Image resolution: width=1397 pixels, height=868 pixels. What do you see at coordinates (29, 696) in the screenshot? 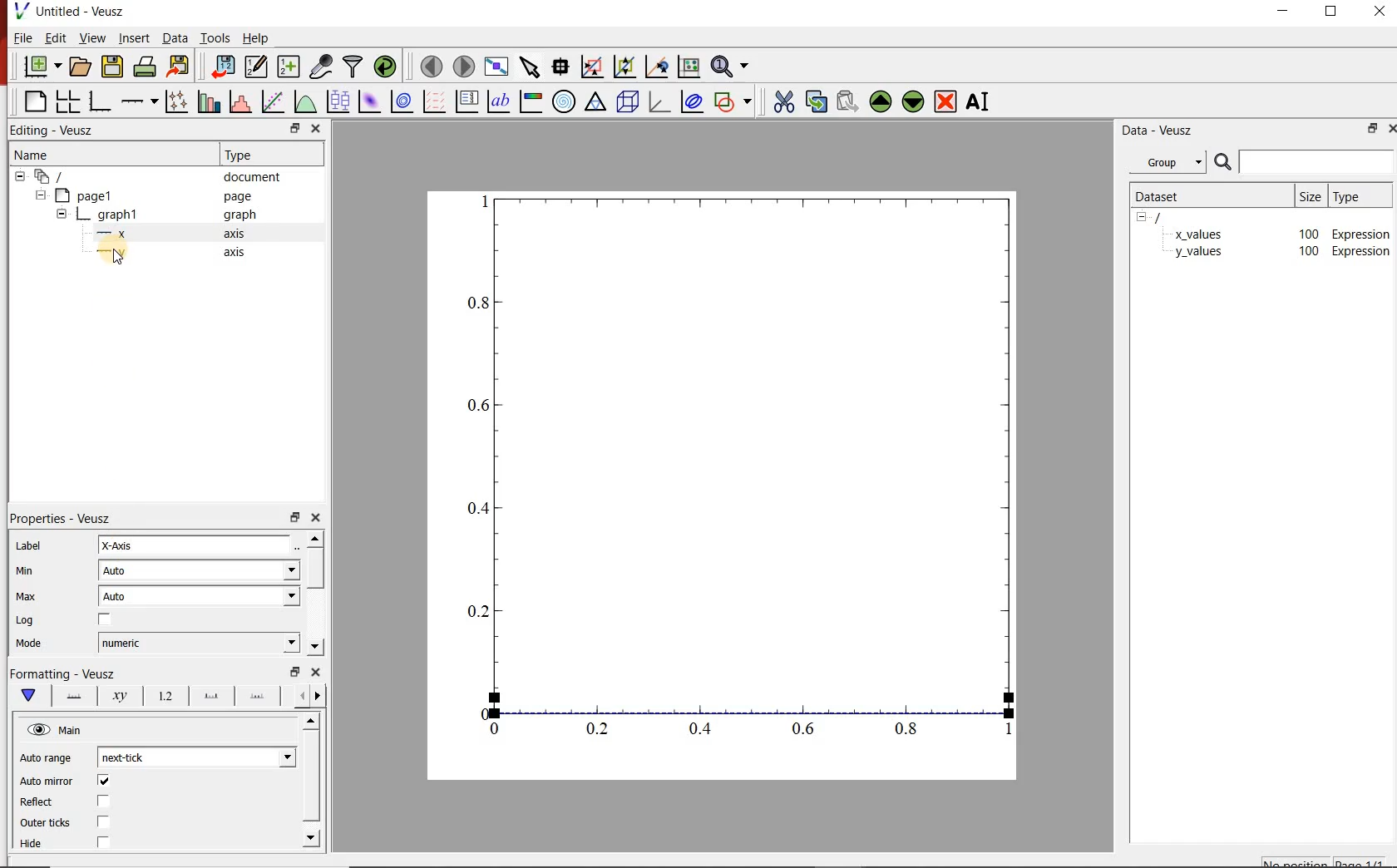
I see `main formatting` at bounding box center [29, 696].